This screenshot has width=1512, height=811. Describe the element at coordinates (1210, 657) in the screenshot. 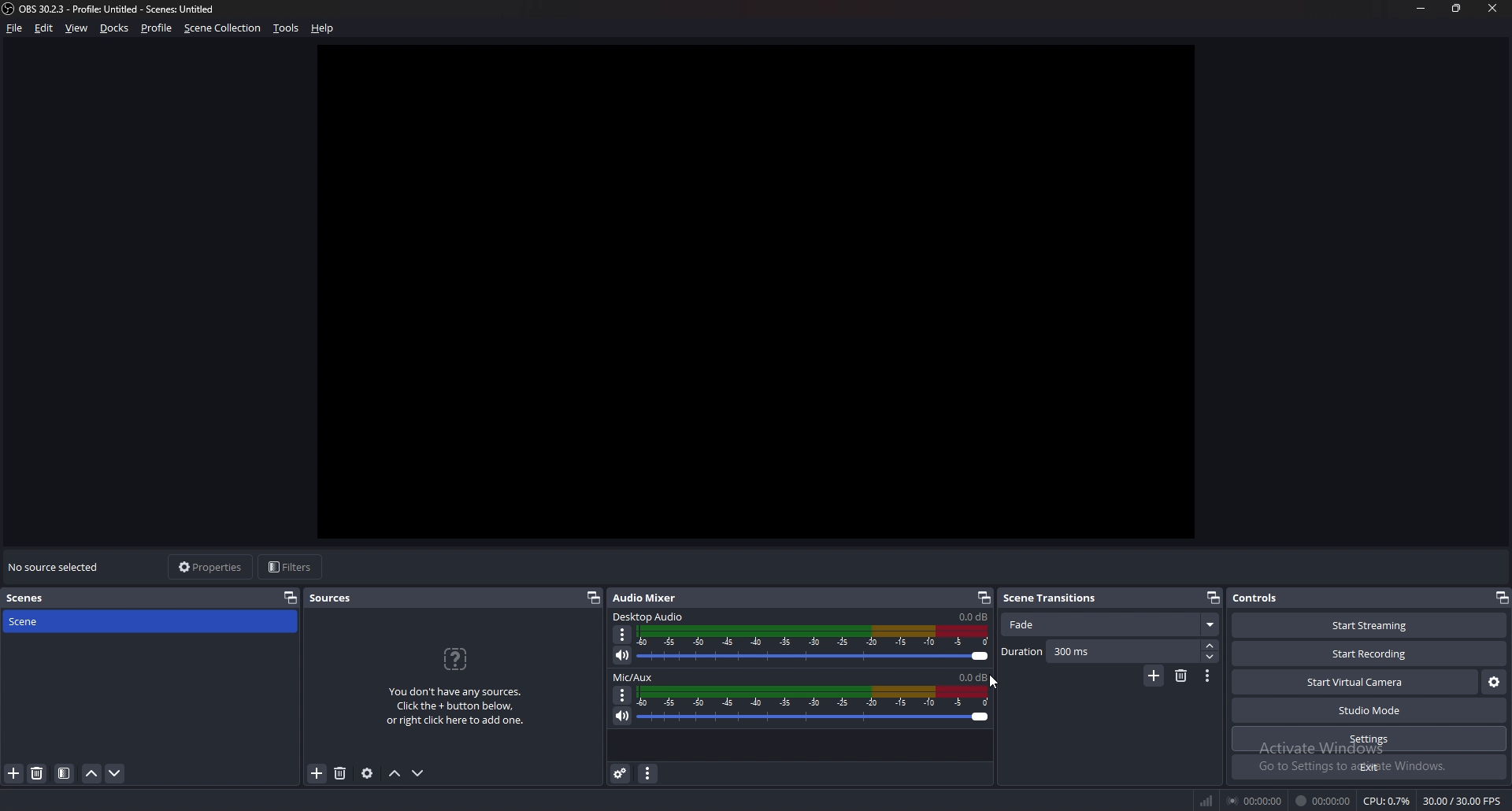

I see `decrease duration` at that location.